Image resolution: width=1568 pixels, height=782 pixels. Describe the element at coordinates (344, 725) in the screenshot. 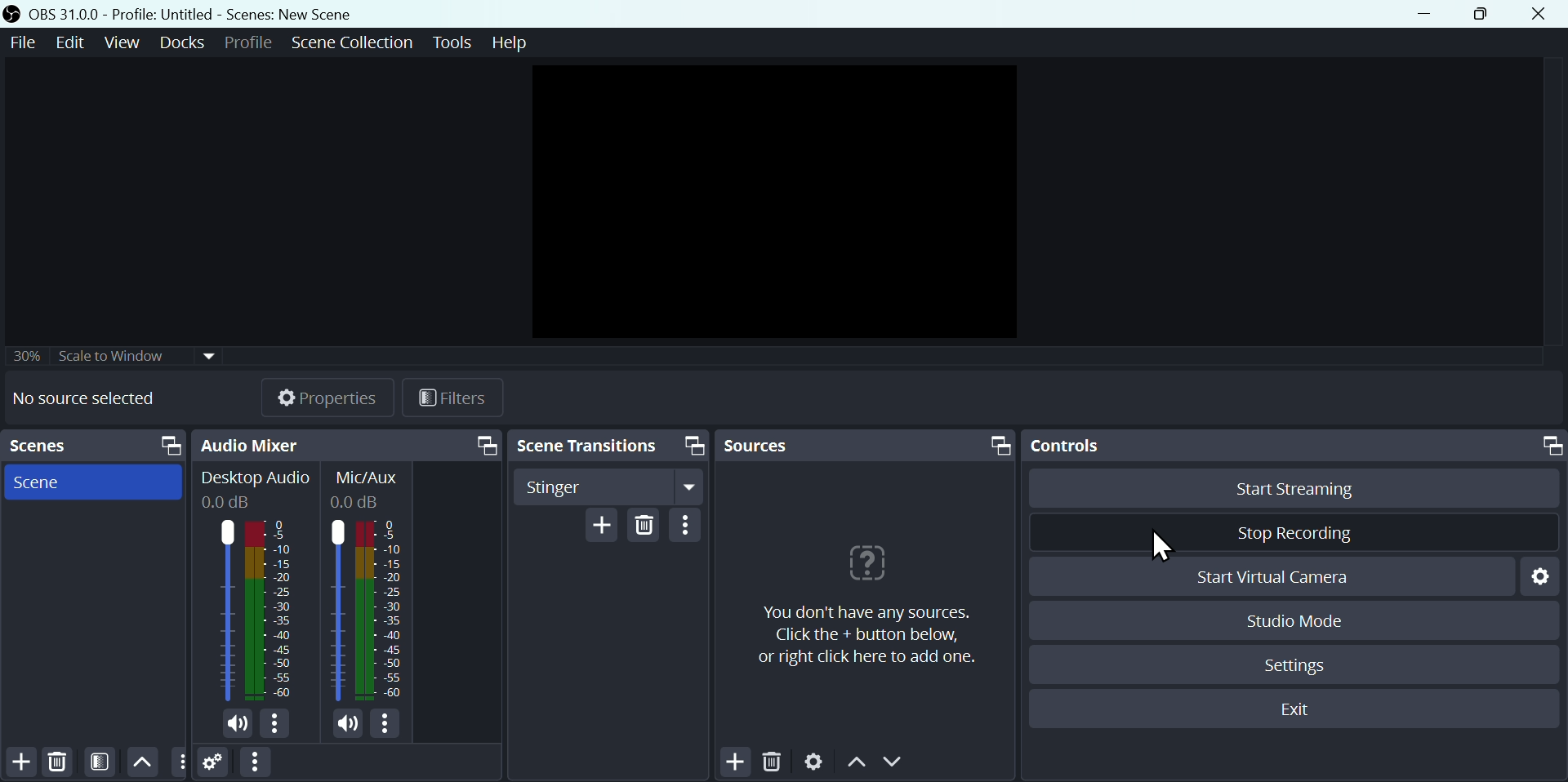

I see `speaker` at that location.